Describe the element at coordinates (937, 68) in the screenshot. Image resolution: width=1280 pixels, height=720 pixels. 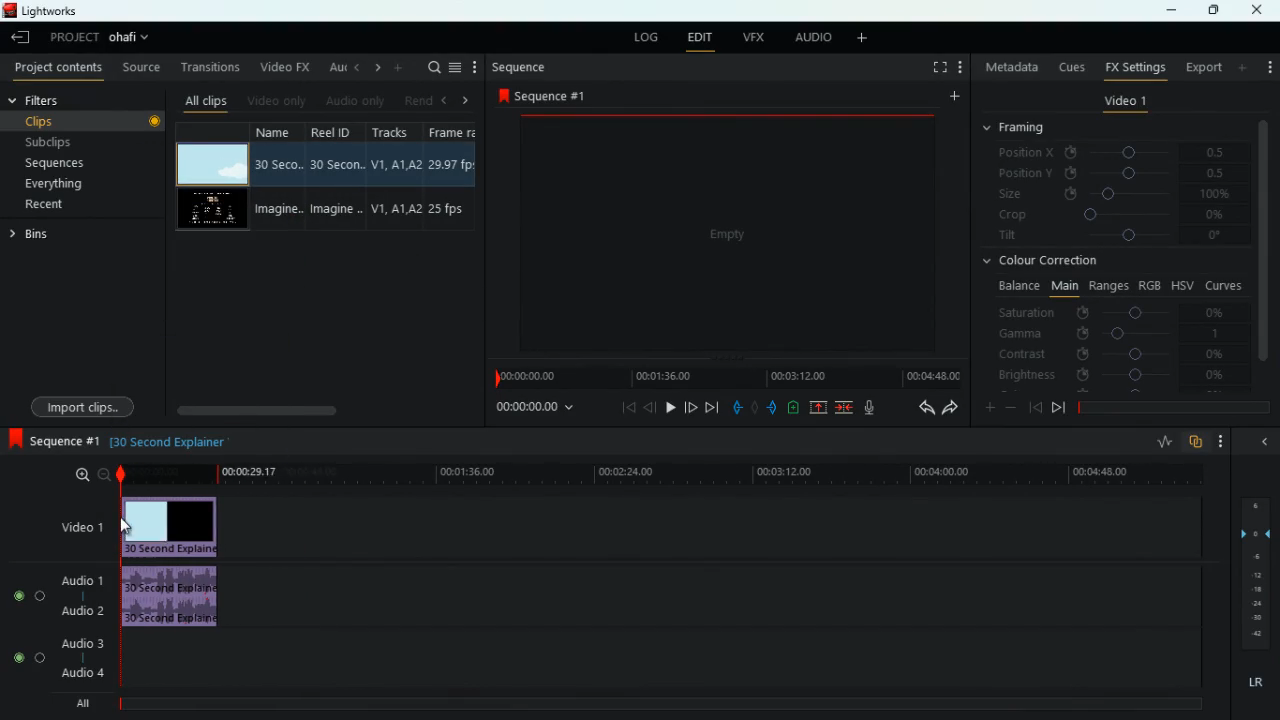
I see `full screen` at that location.